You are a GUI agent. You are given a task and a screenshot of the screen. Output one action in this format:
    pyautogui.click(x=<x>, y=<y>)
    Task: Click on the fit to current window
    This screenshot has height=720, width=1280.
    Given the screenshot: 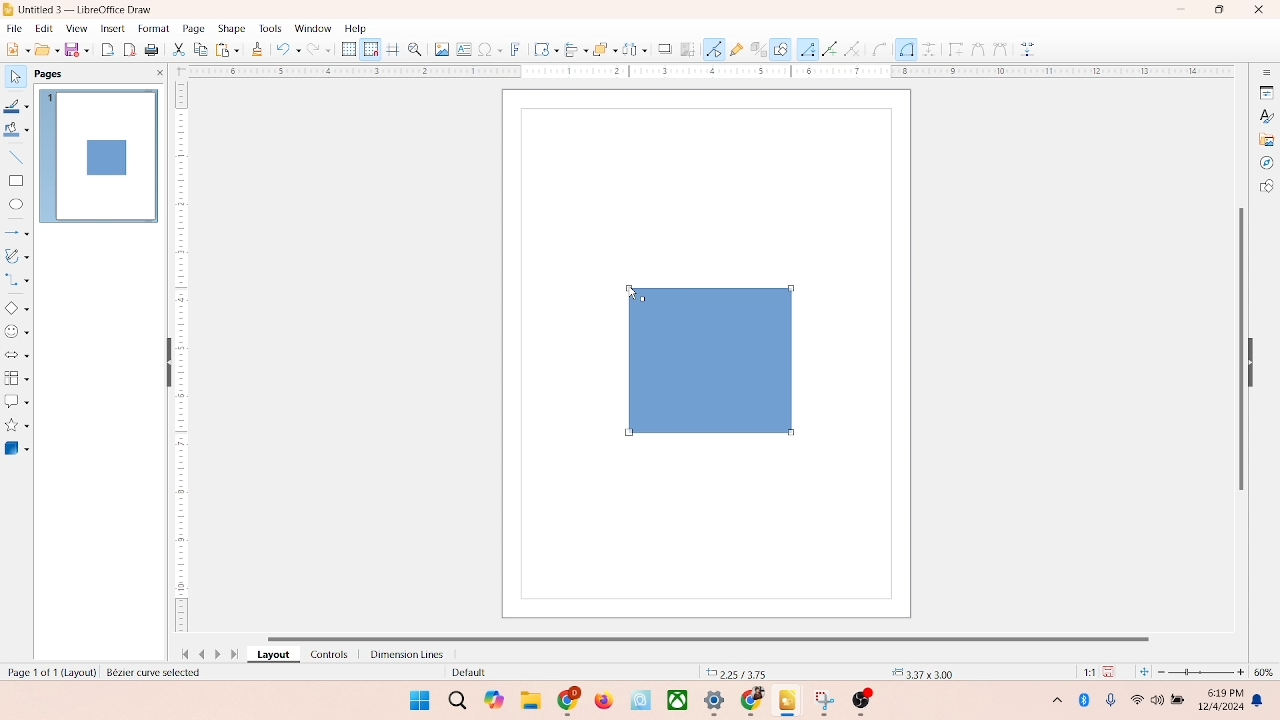 What is the action you would take?
    pyautogui.click(x=1143, y=672)
    